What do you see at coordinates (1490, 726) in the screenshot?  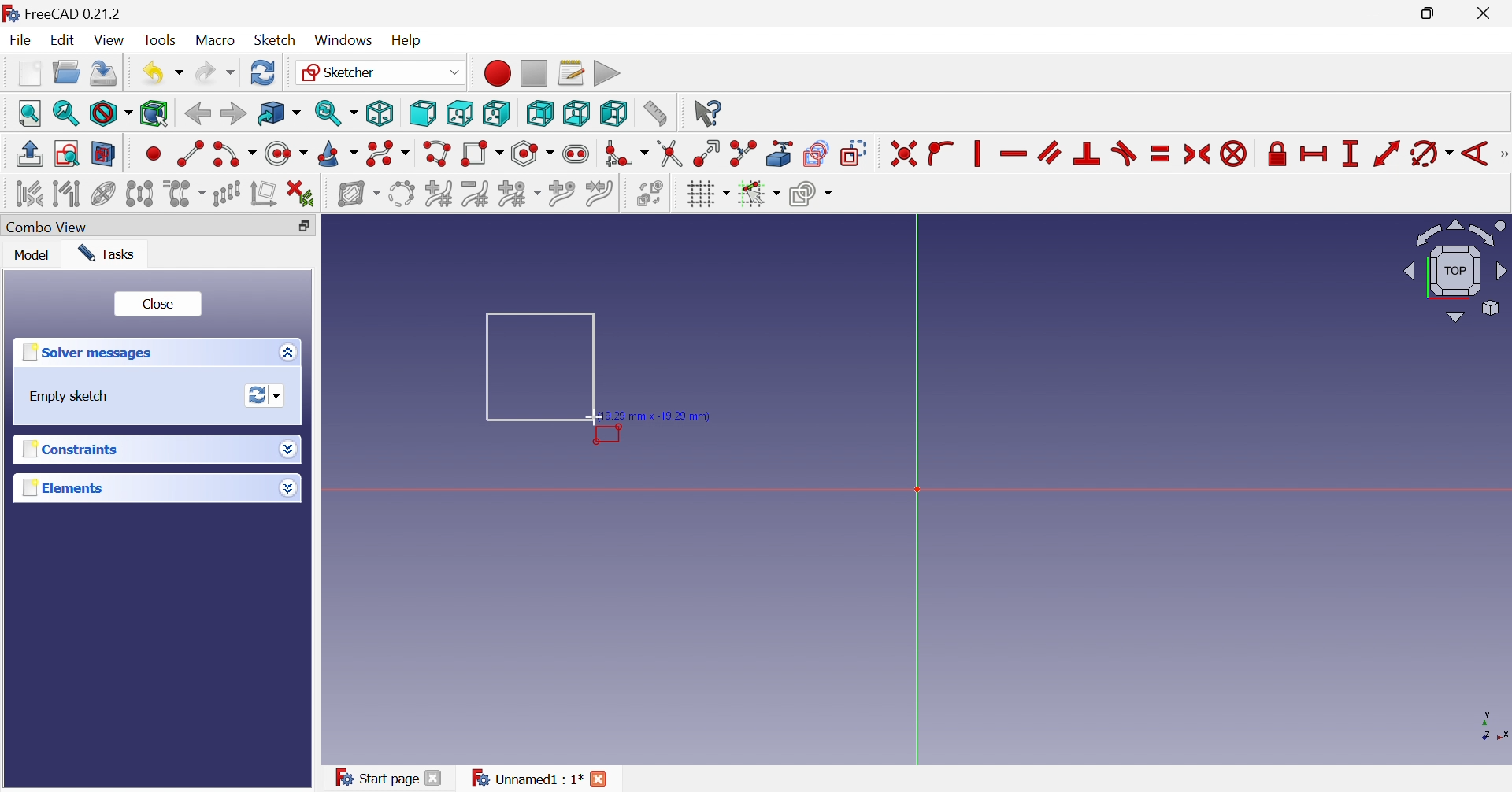 I see `x, y axis` at bounding box center [1490, 726].